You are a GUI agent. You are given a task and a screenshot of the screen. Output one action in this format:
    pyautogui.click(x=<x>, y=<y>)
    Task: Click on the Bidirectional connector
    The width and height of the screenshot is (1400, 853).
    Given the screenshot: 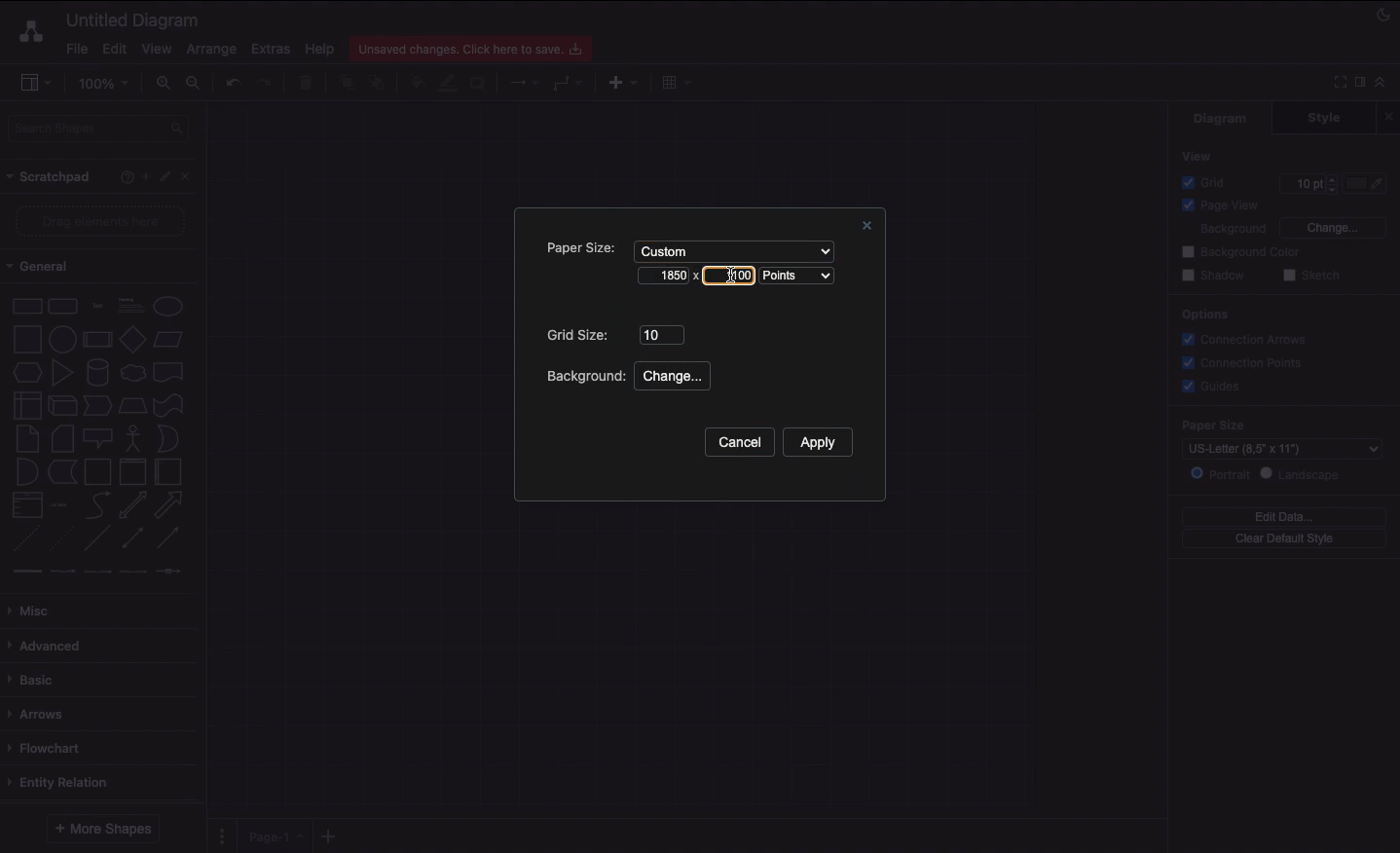 What is the action you would take?
    pyautogui.click(x=133, y=538)
    